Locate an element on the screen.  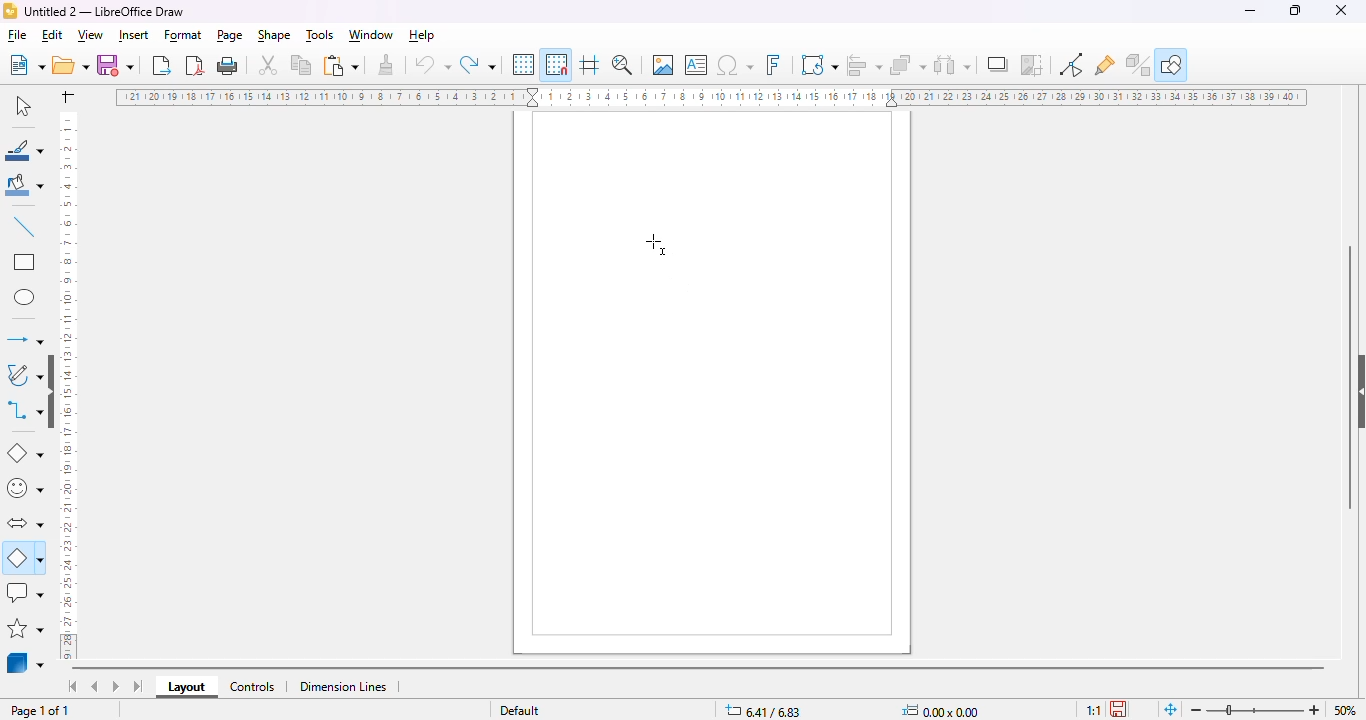
scroll to last sheet is located at coordinates (138, 686).